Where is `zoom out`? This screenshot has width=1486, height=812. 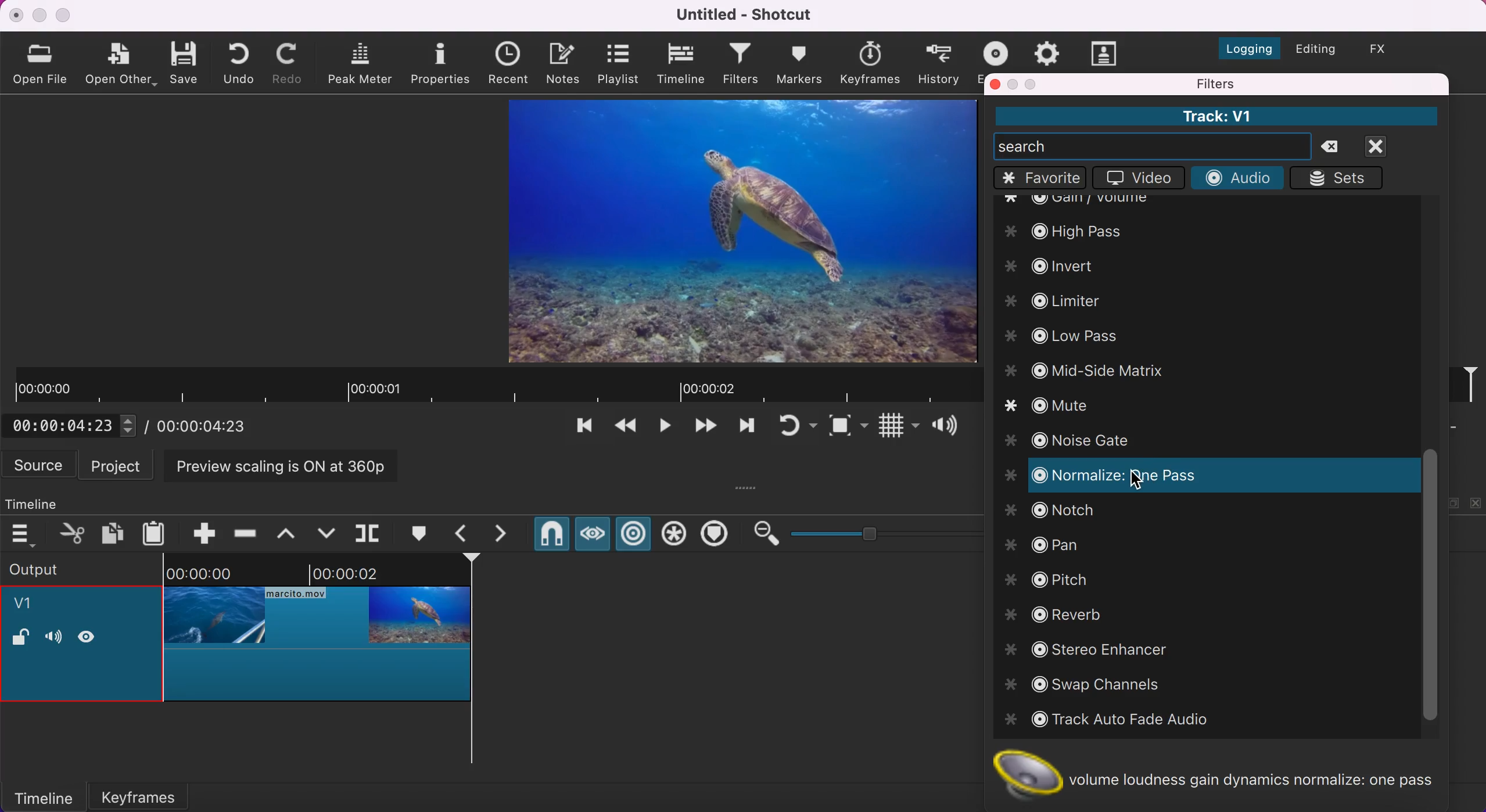 zoom out is located at coordinates (765, 534).